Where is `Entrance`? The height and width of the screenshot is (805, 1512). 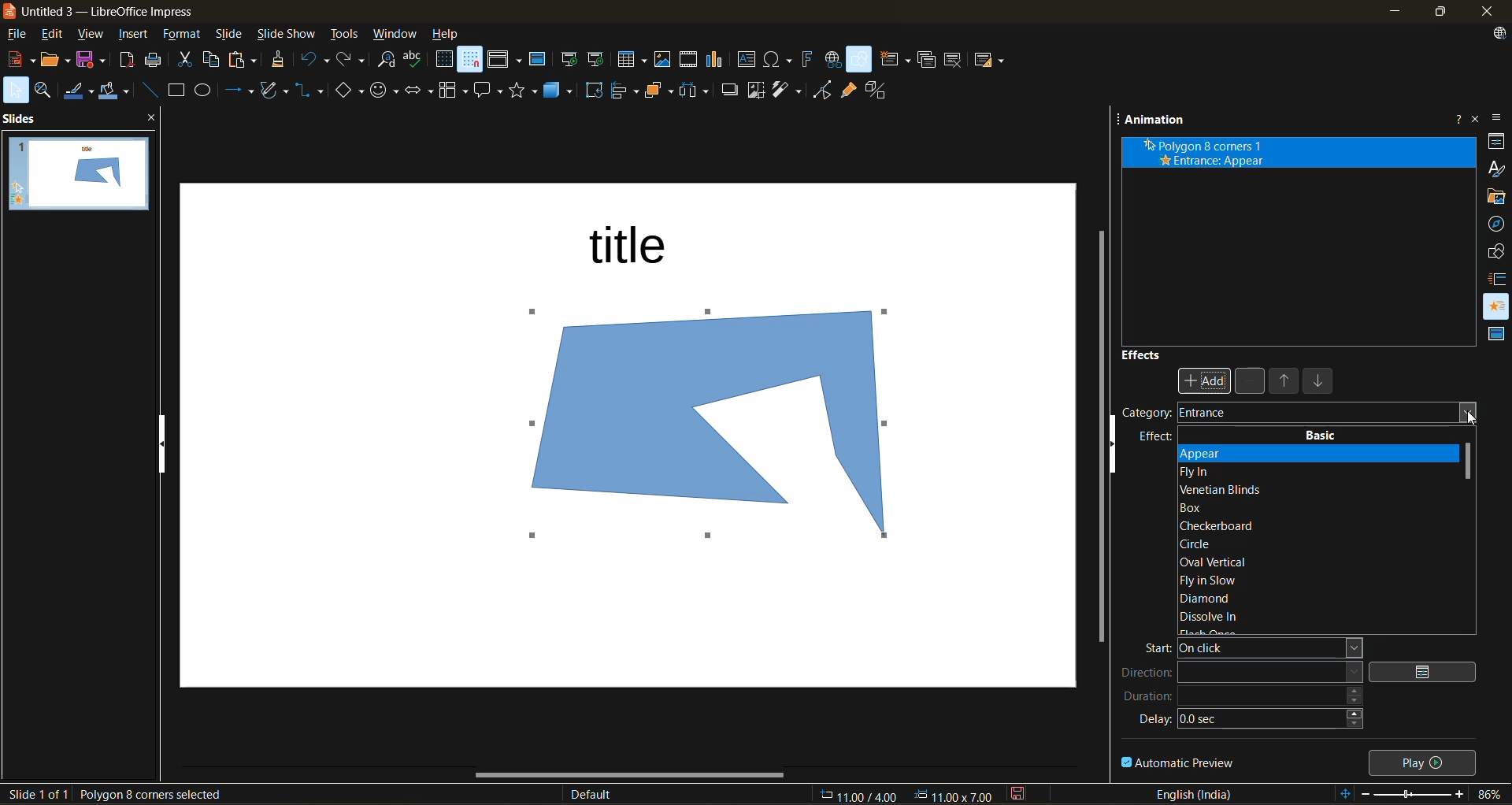 Entrance is located at coordinates (1221, 414).